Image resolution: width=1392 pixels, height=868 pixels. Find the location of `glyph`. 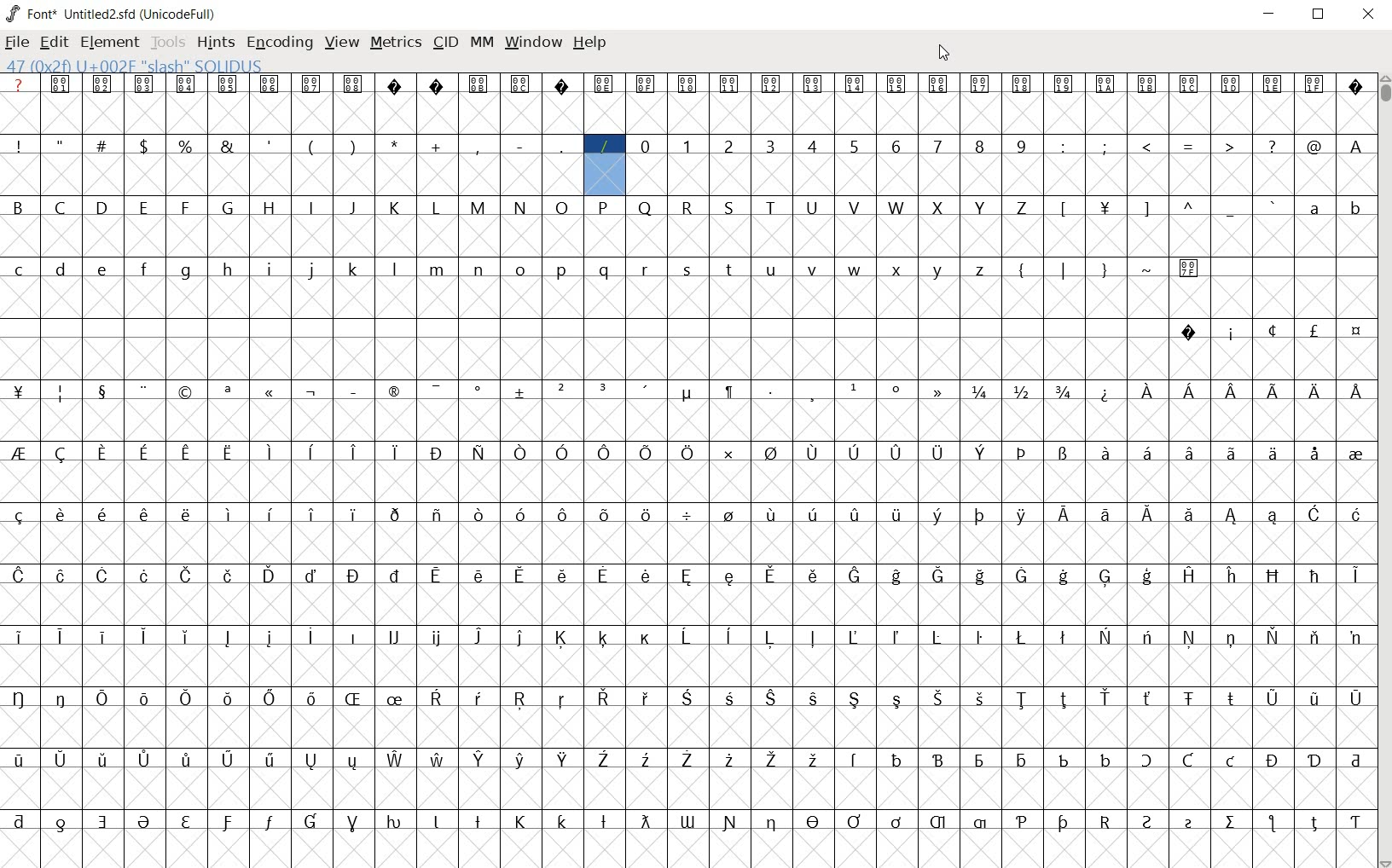

glyph is located at coordinates (896, 822).